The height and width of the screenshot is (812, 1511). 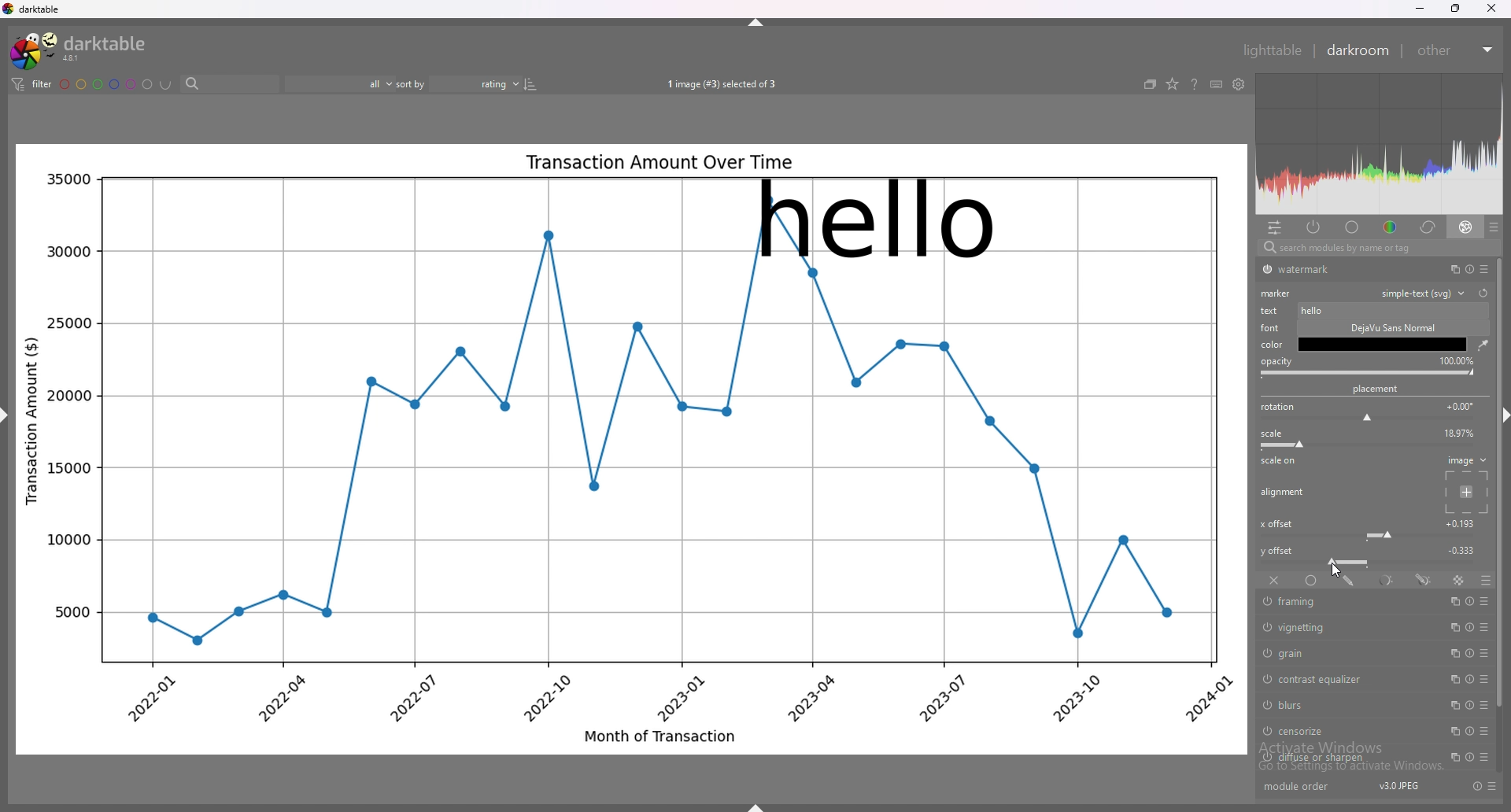 I want to click on resize, so click(x=1454, y=8).